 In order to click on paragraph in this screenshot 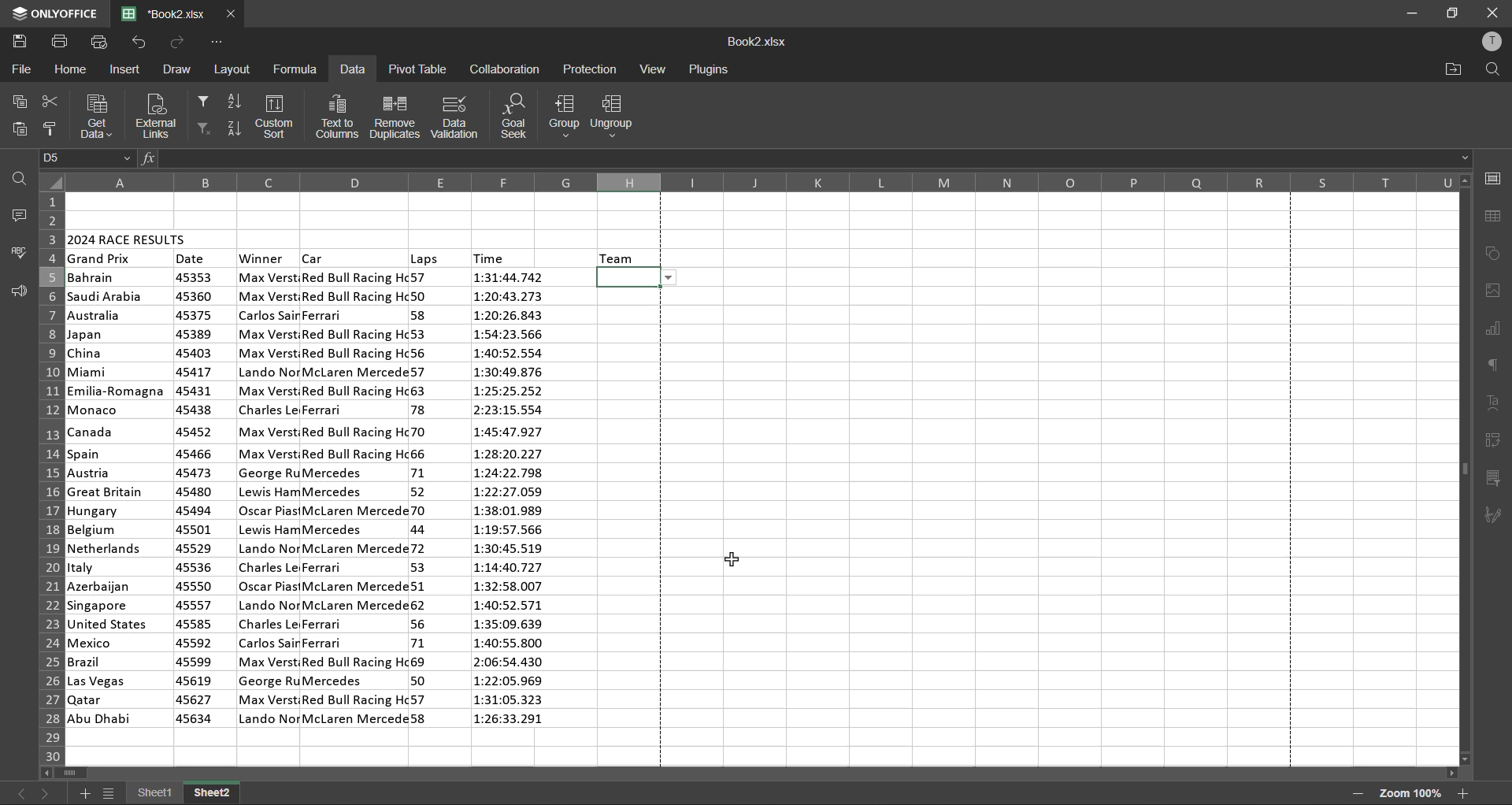, I will do `click(1497, 364)`.